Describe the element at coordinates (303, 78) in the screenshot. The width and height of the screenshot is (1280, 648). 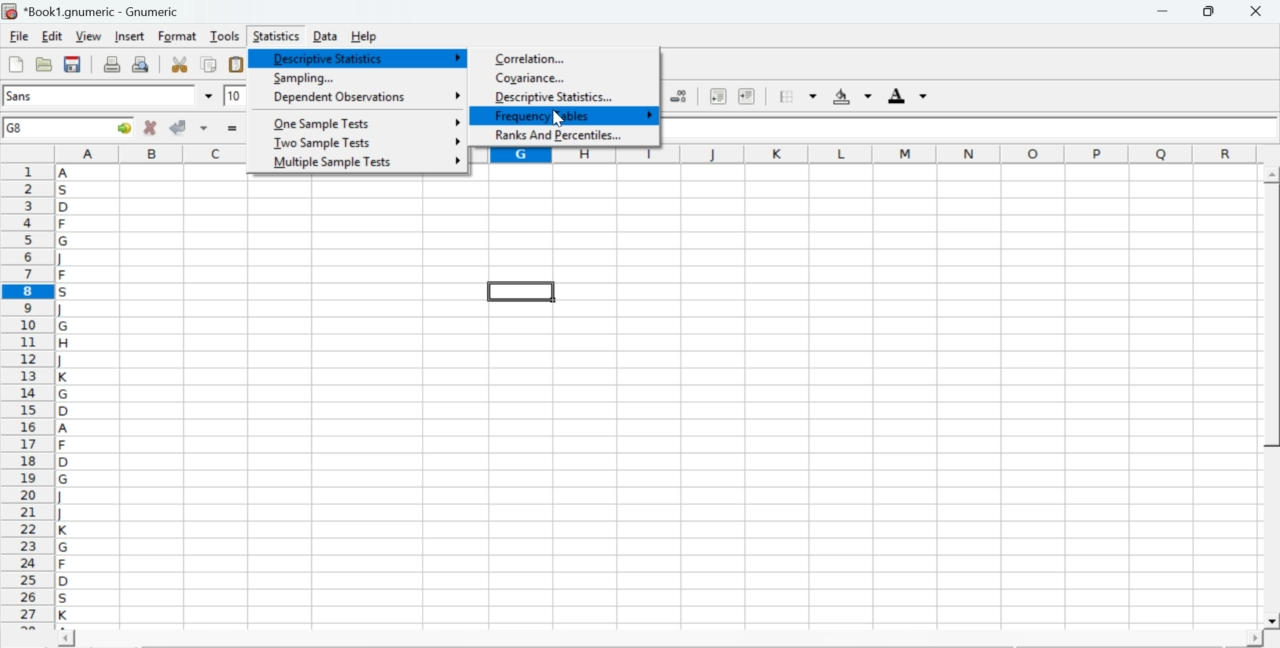
I see `sampling...` at that location.